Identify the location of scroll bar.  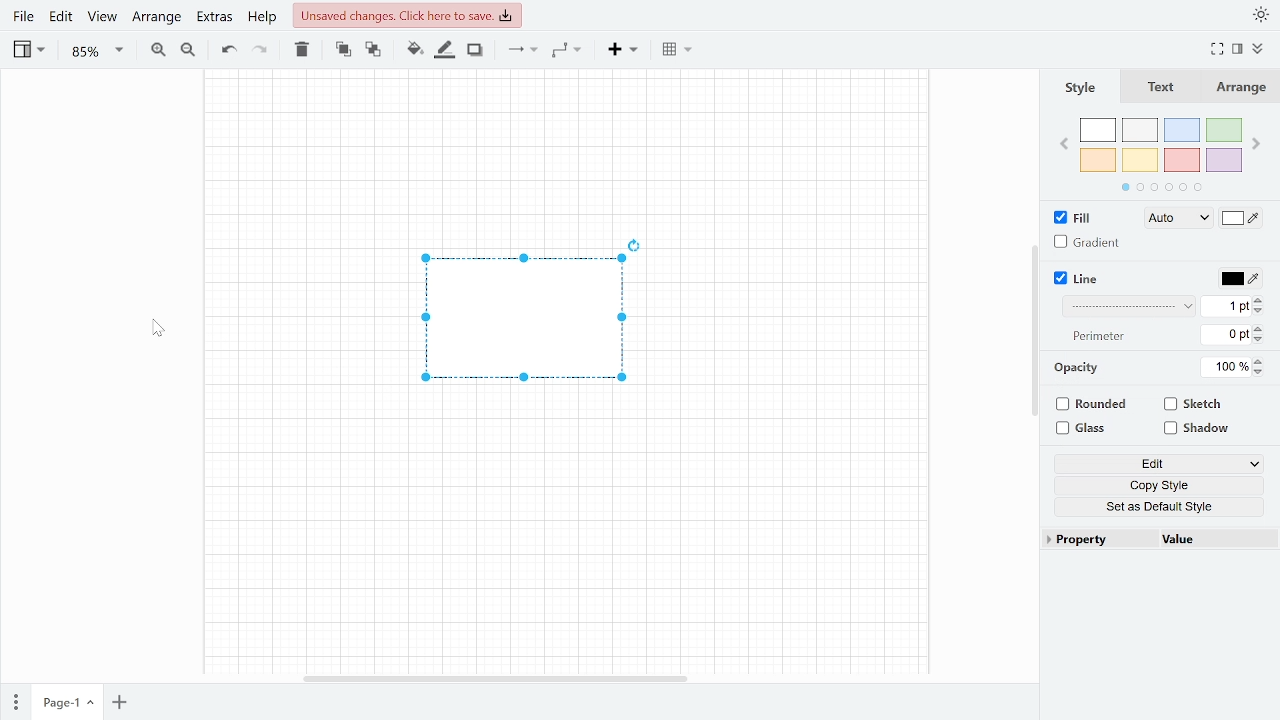
(497, 679).